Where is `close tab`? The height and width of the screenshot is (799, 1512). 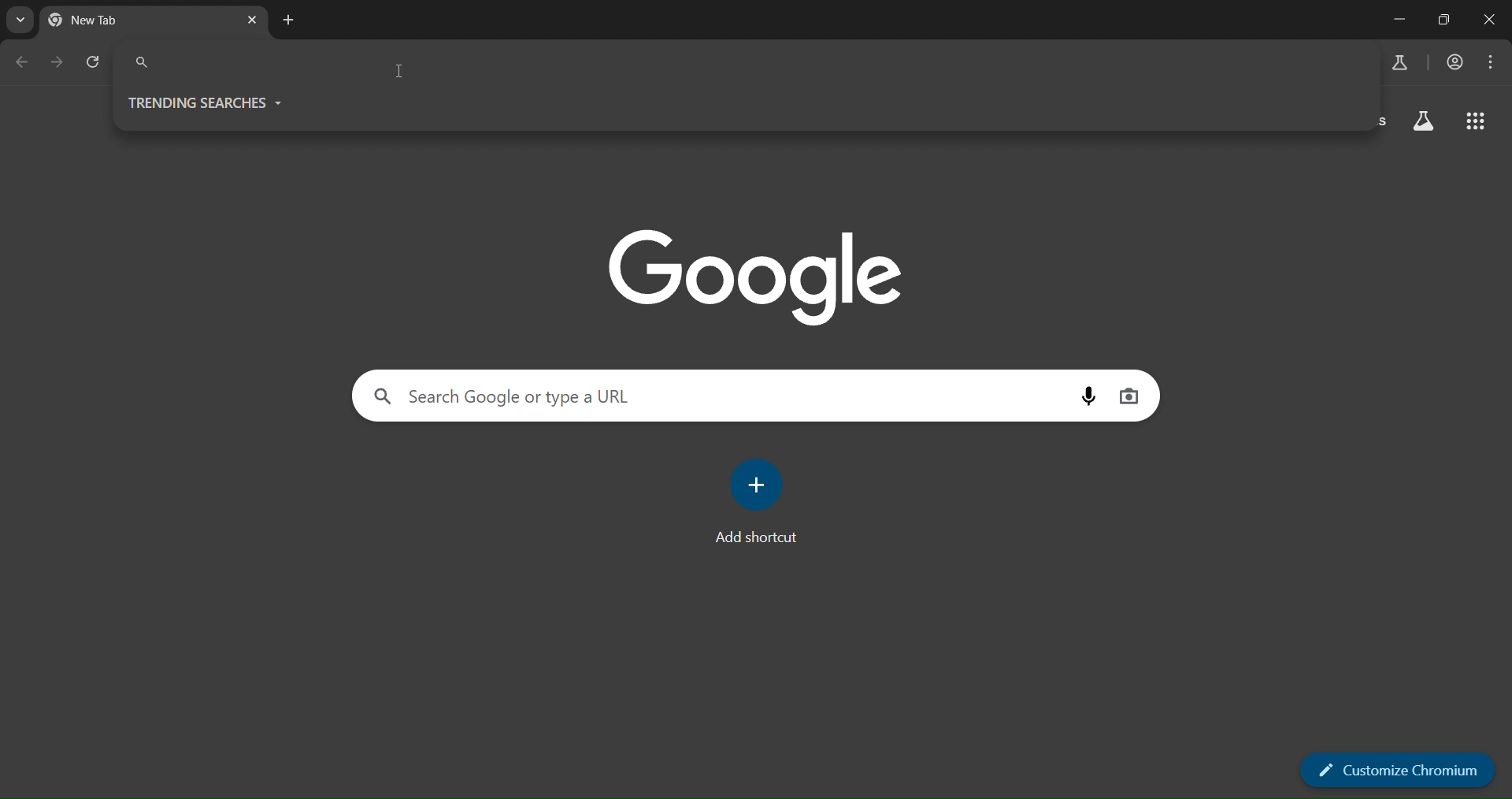 close tab is located at coordinates (254, 23).